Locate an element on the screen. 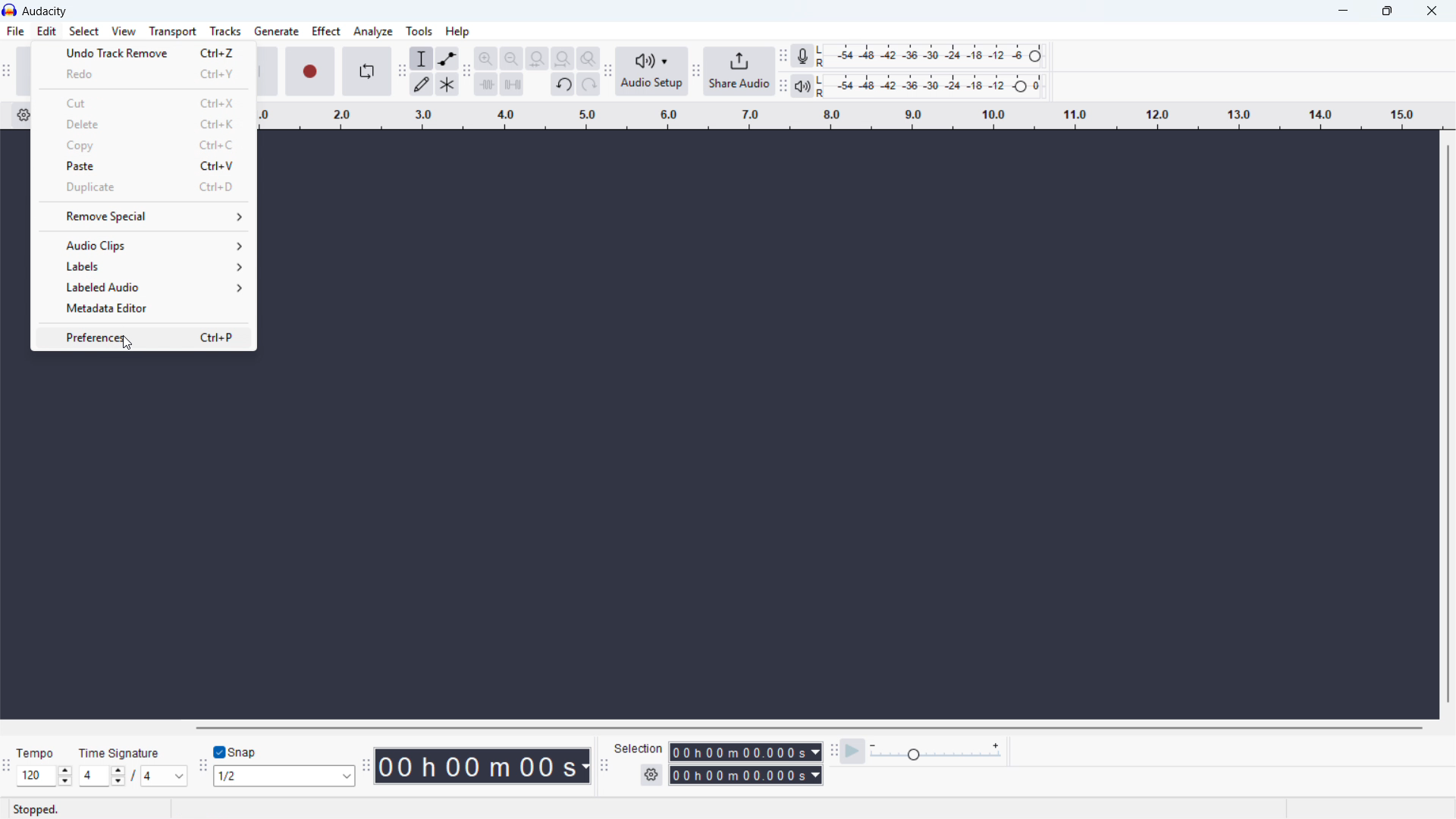  playback meter toolbar is located at coordinates (783, 86).